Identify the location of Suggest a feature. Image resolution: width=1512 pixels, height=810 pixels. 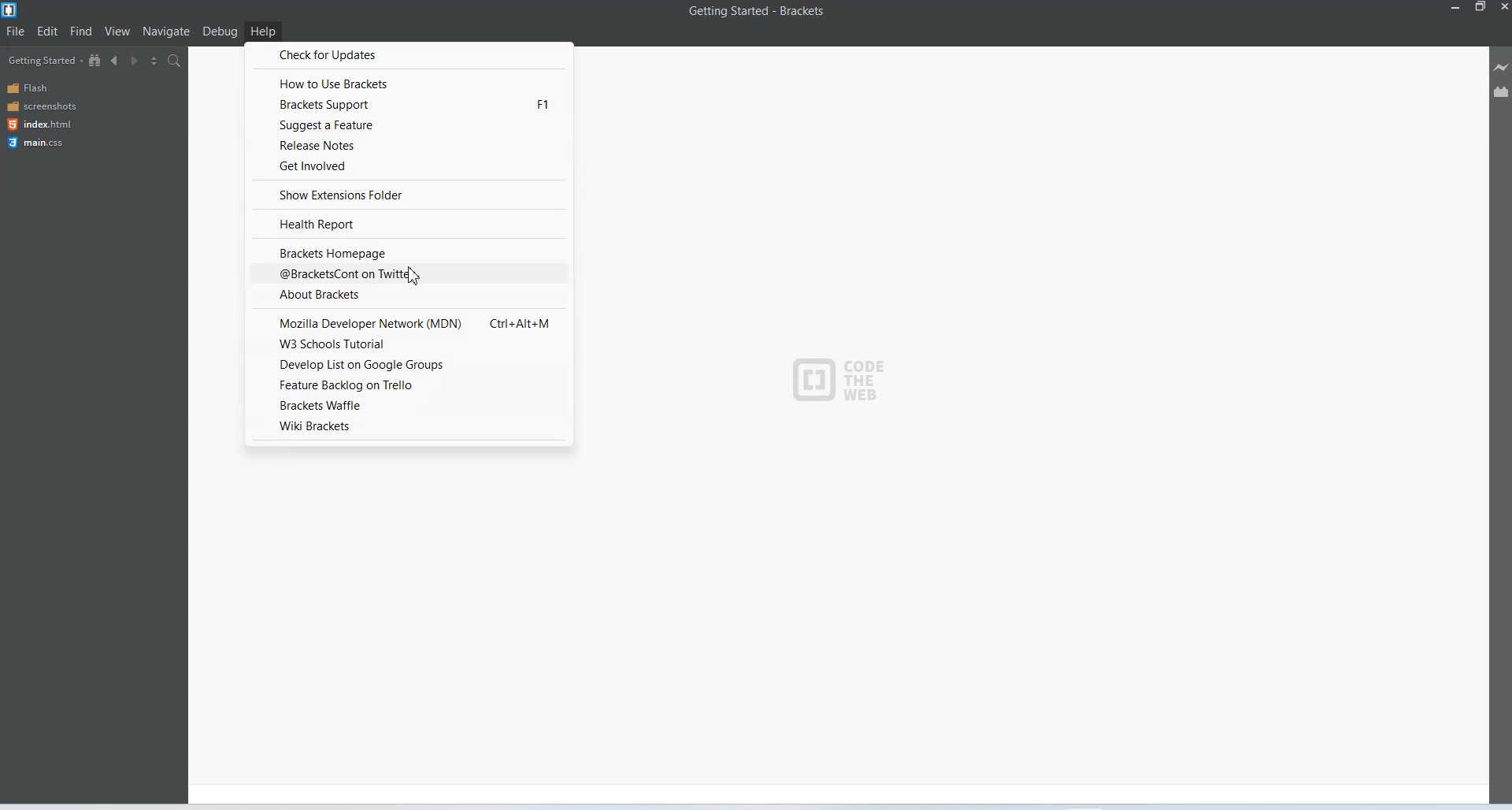
(409, 124).